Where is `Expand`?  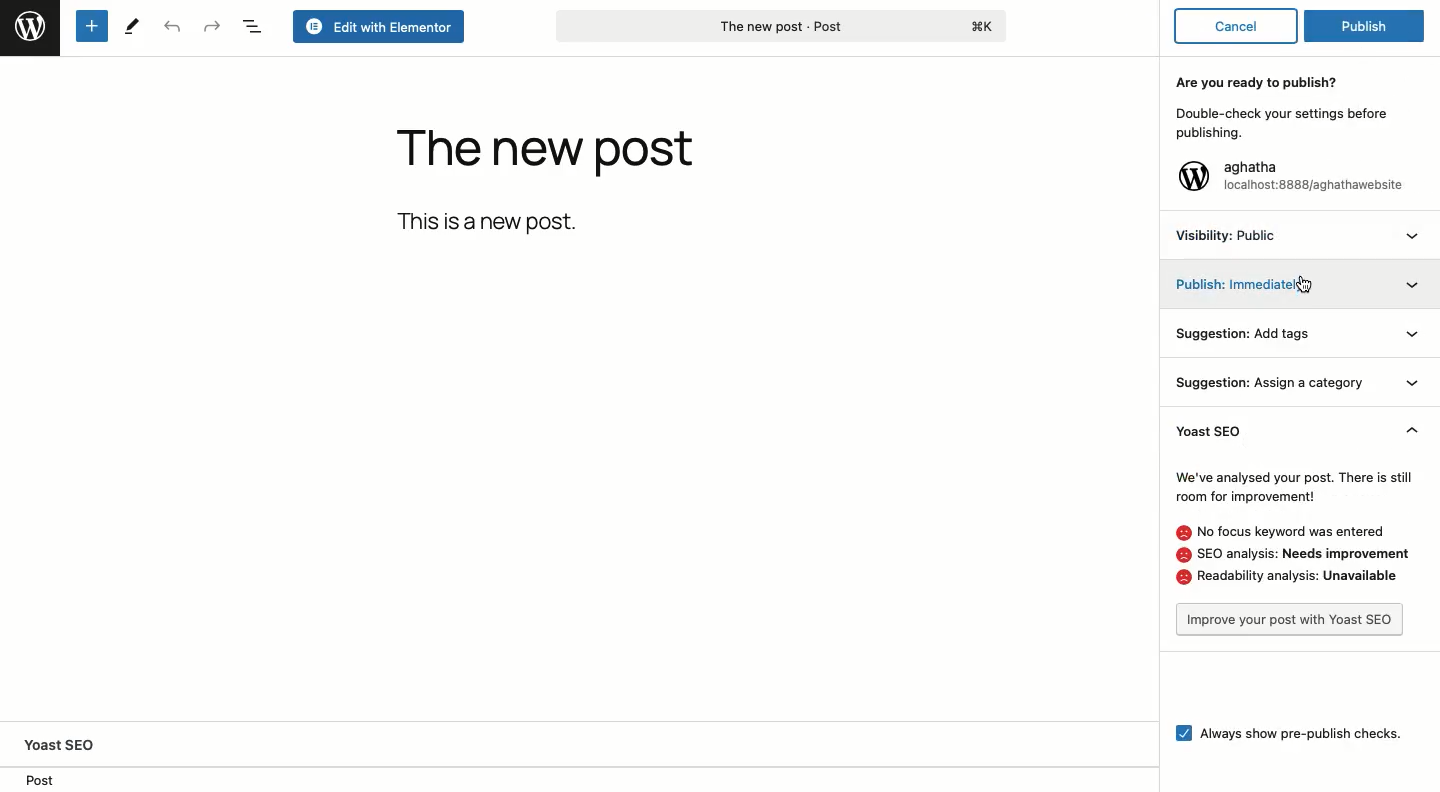 Expand is located at coordinates (1412, 286).